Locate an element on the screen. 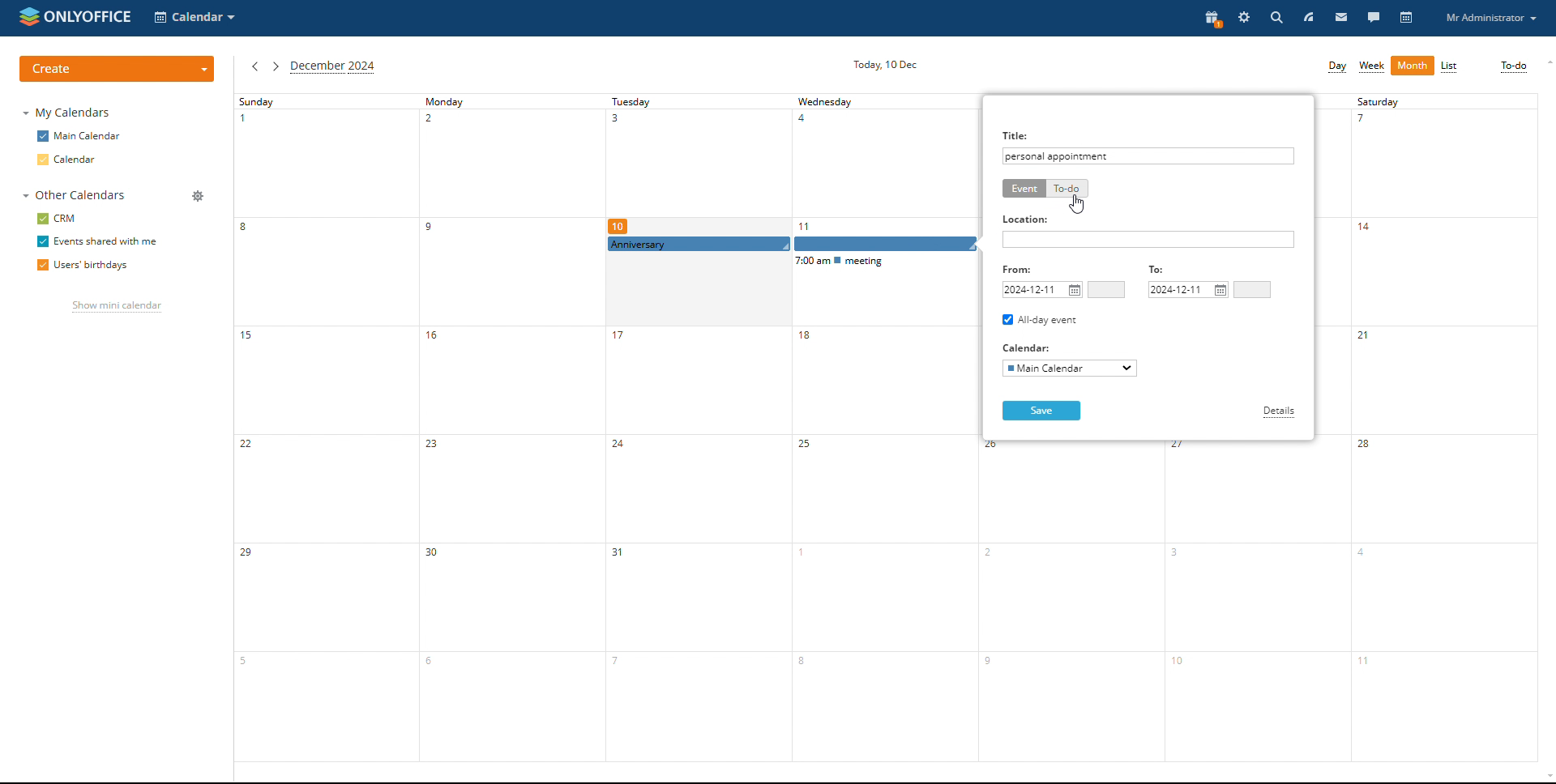 Image resolution: width=1556 pixels, height=784 pixels. Title: is located at coordinates (1017, 134).